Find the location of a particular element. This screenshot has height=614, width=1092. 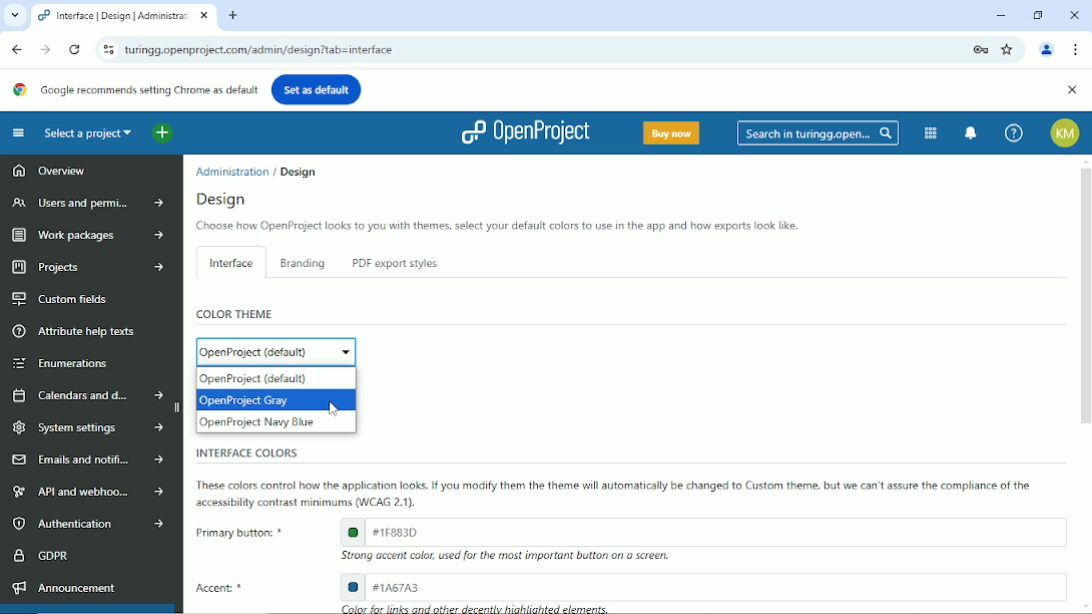

Account is located at coordinates (1066, 133).